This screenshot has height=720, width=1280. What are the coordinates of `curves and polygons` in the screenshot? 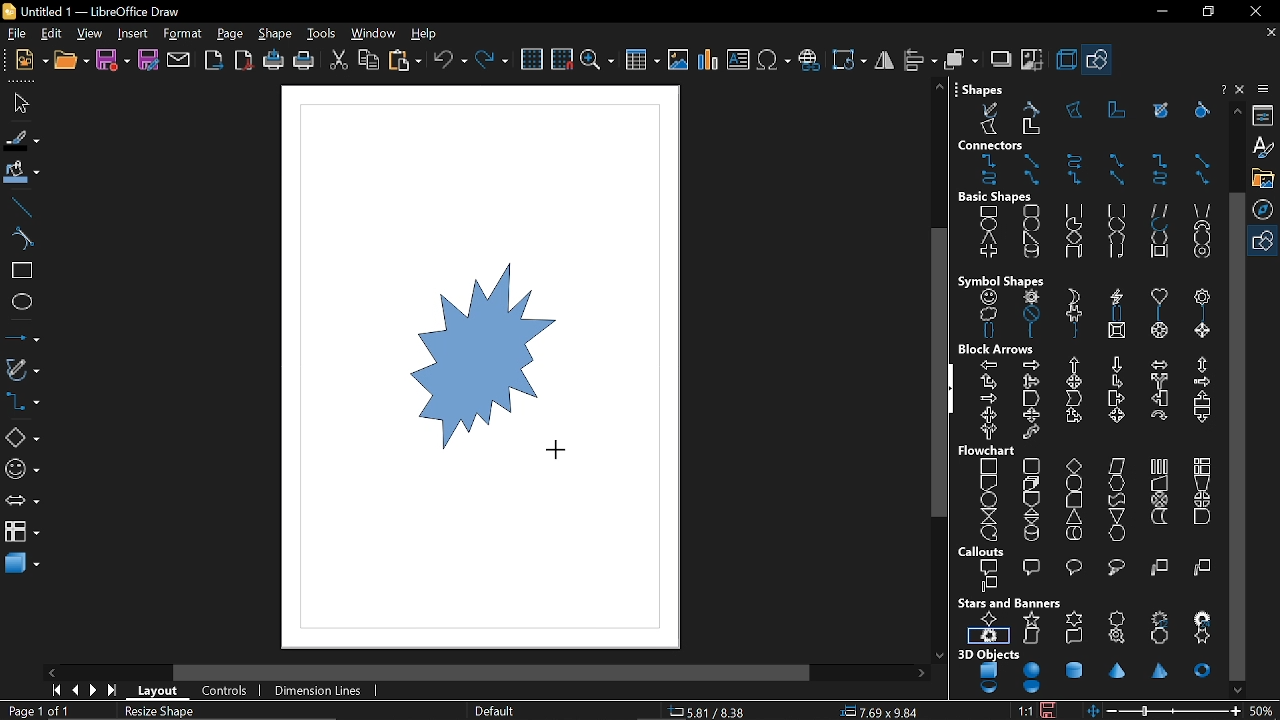 It's located at (21, 371).